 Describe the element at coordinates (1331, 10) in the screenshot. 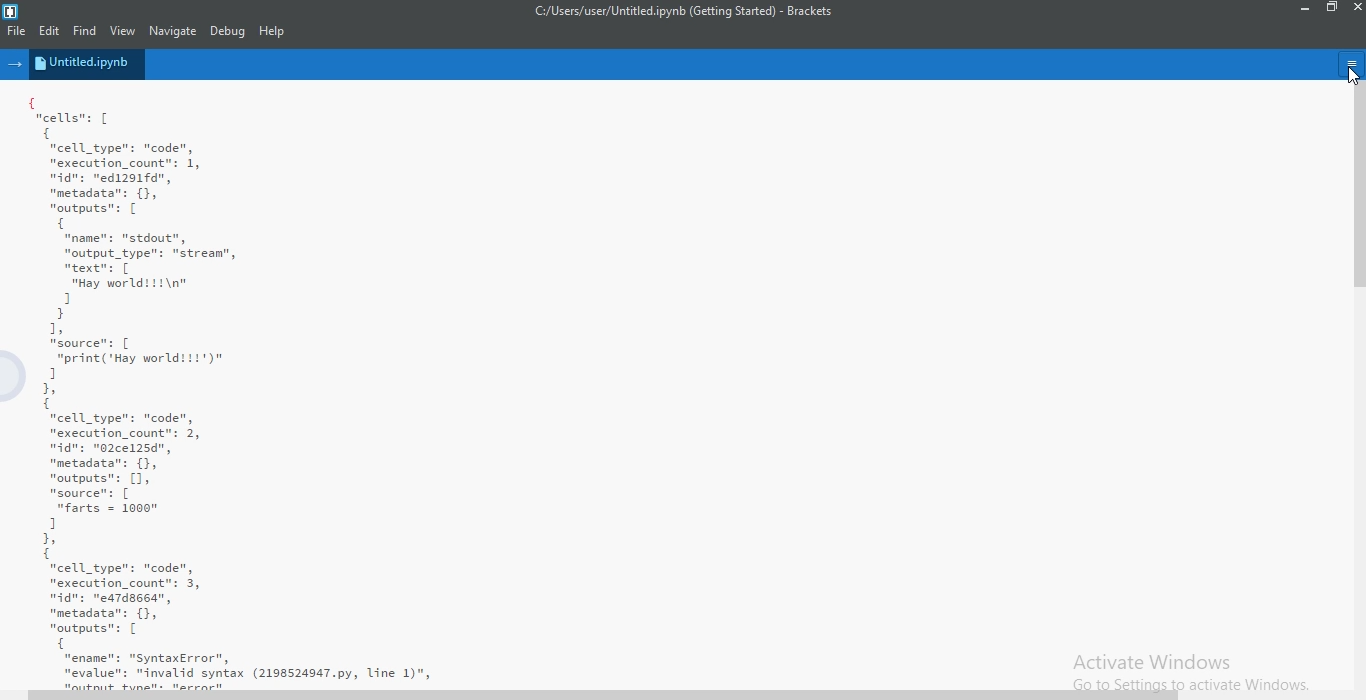

I see `restore` at that location.